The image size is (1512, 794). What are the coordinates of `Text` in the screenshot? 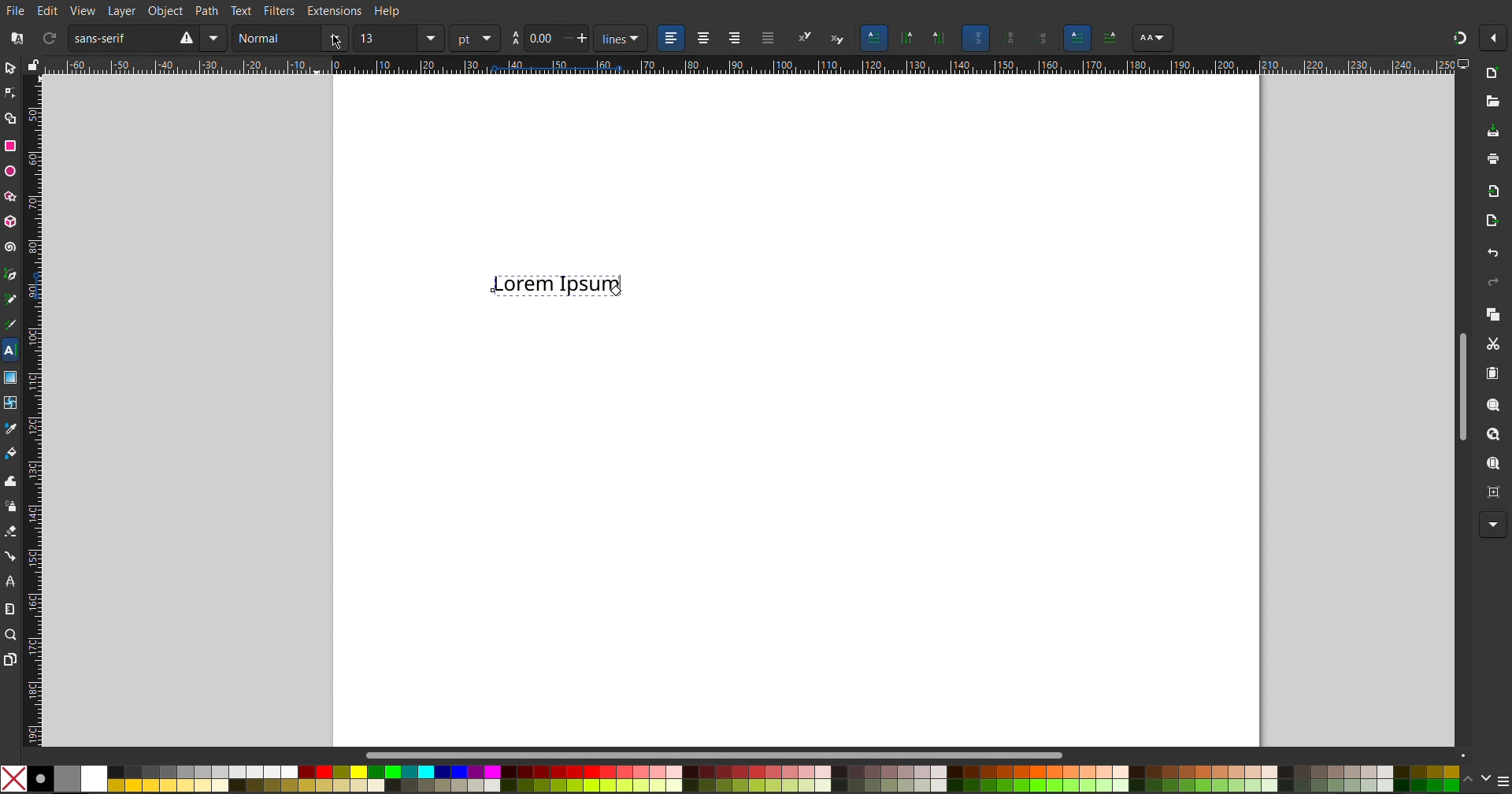 It's located at (242, 10).